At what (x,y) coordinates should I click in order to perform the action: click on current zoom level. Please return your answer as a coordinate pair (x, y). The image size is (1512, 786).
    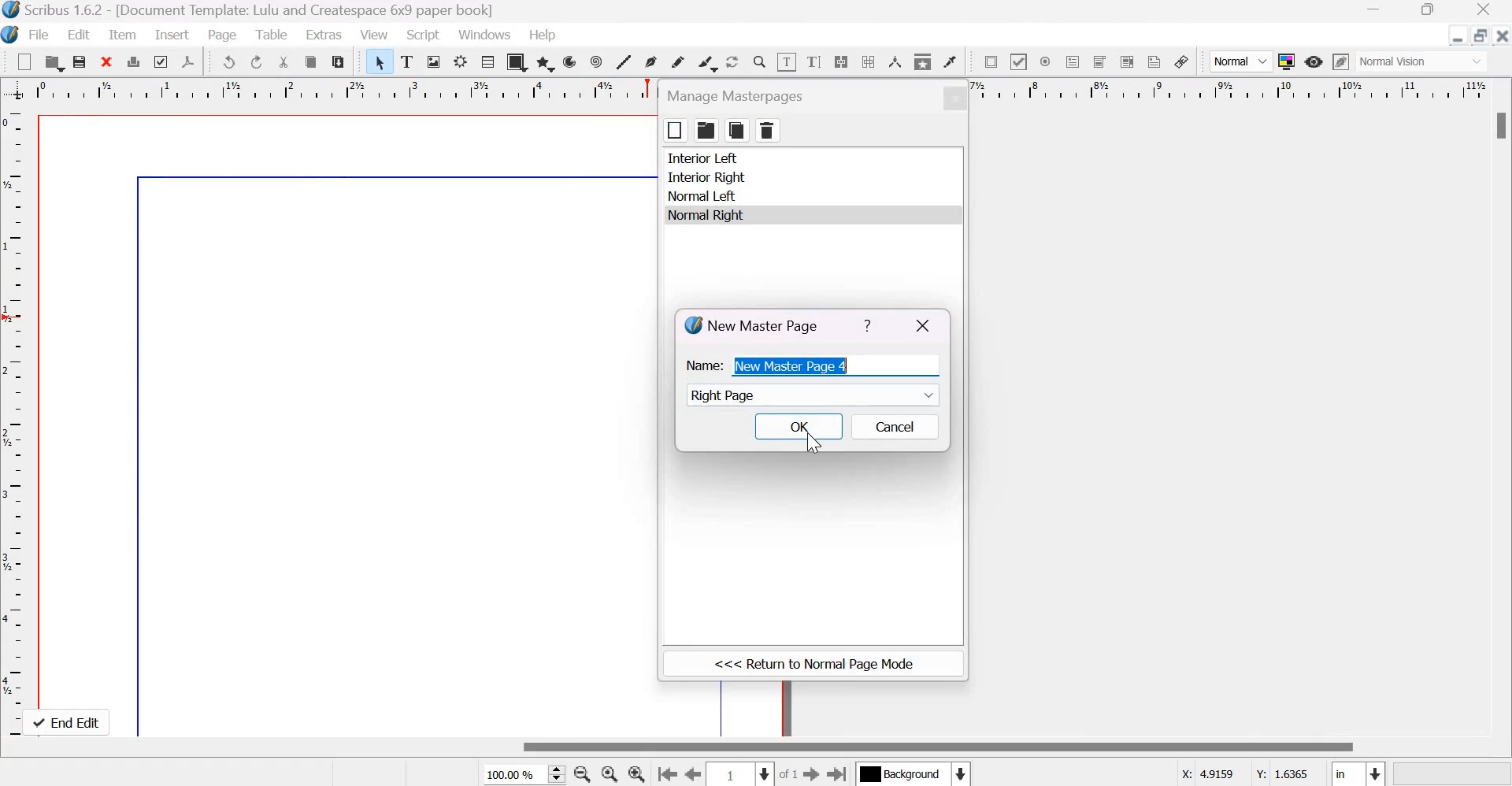
    Looking at the image, I should click on (519, 775).